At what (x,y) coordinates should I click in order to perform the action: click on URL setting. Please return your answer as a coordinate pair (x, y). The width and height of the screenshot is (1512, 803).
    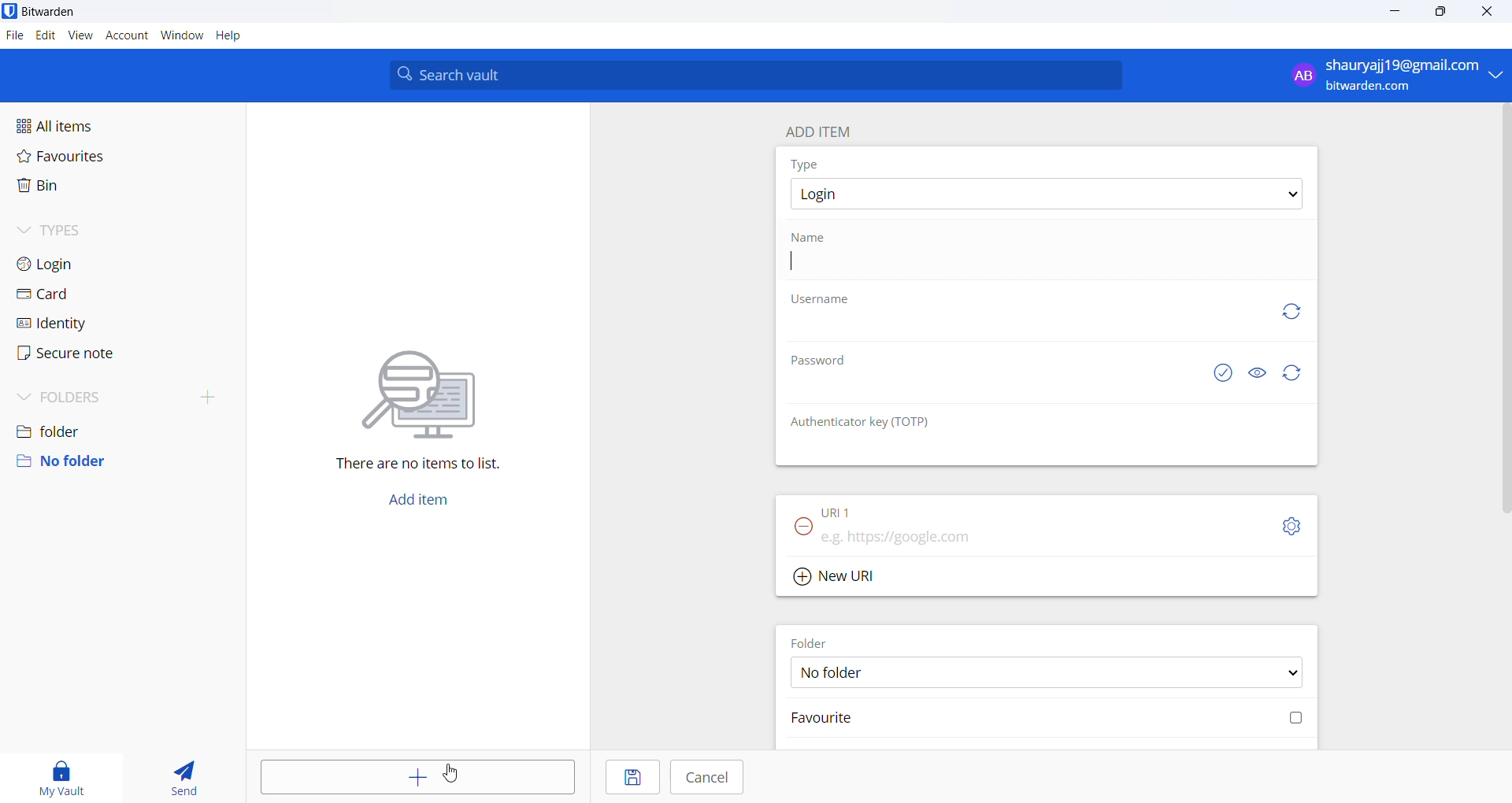
    Looking at the image, I should click on (1284, 525).